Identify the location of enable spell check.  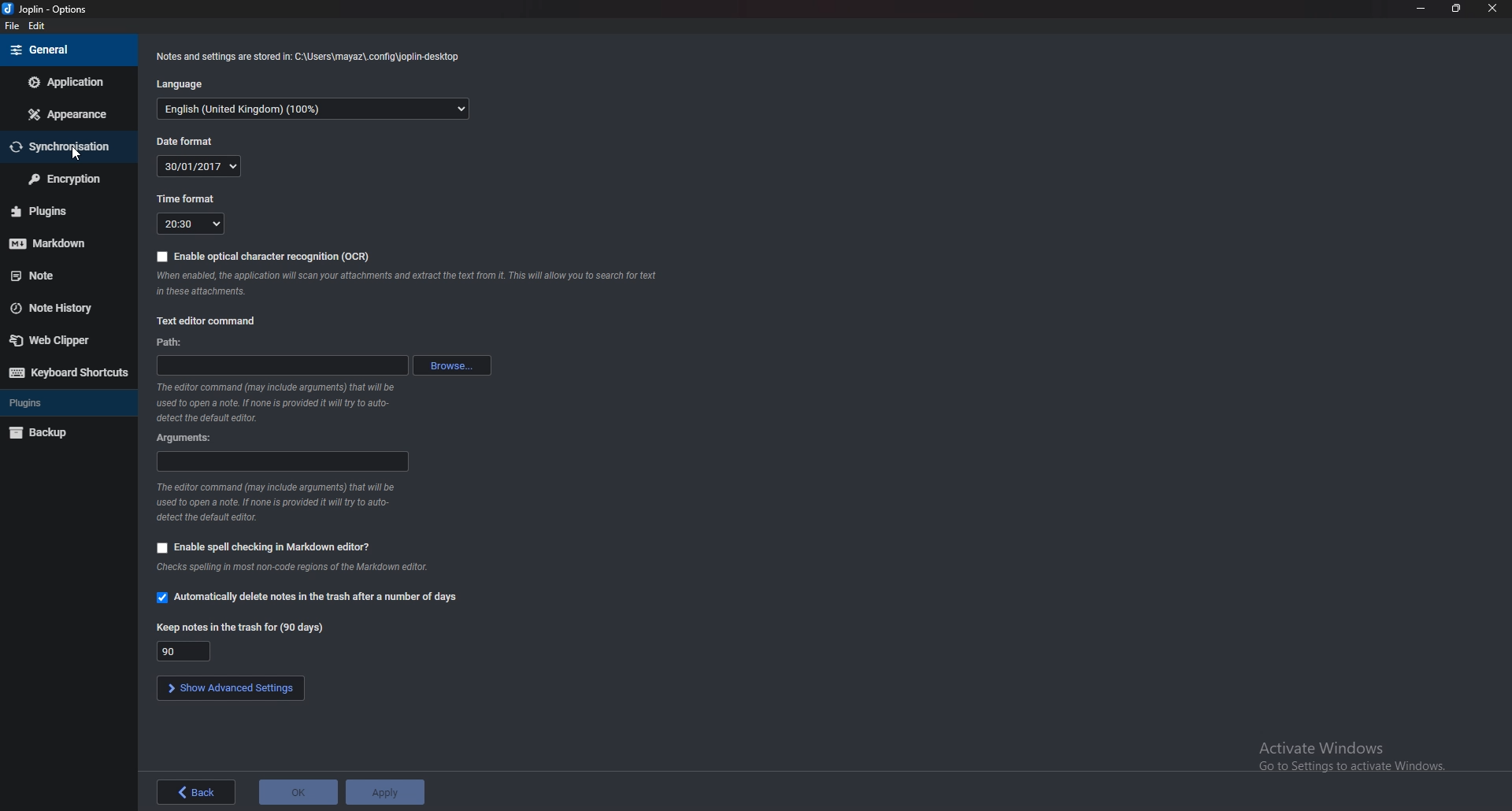
(264, 546).